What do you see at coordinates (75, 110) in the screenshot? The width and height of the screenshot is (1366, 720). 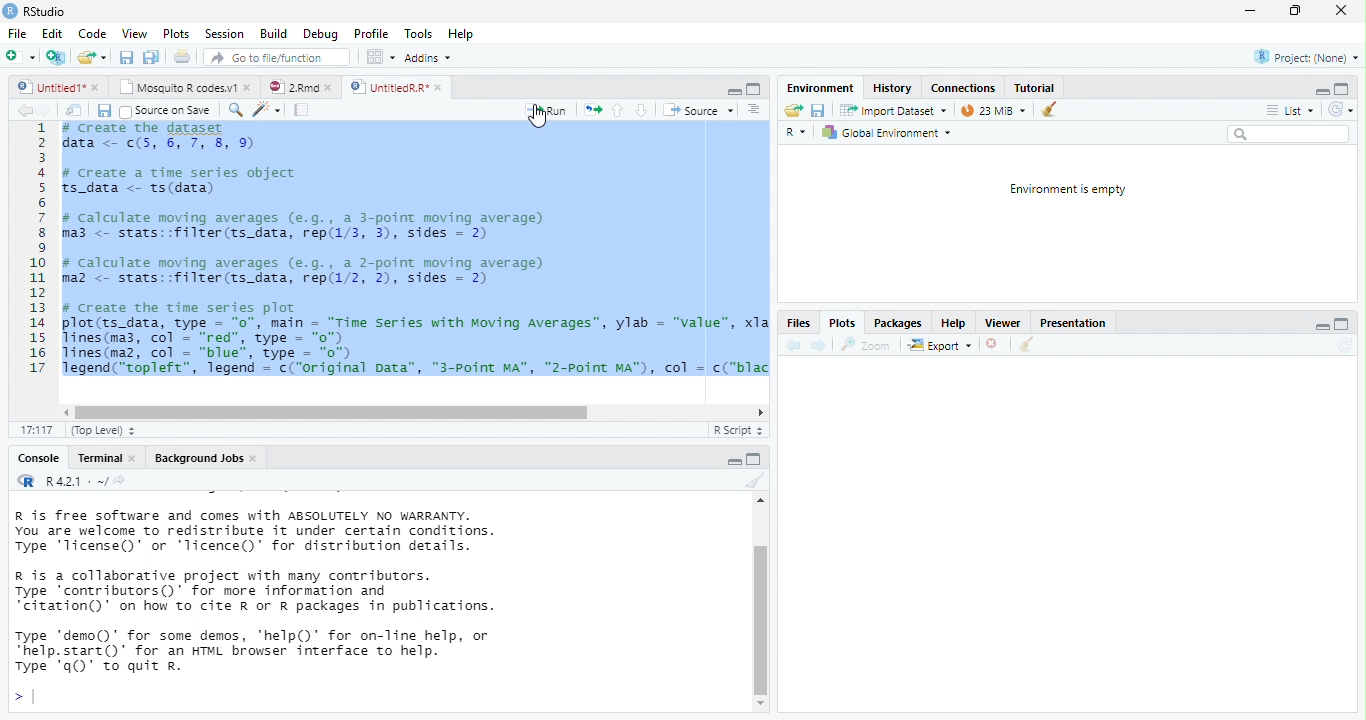 I see `show in window` at bounding box center [75, 110].